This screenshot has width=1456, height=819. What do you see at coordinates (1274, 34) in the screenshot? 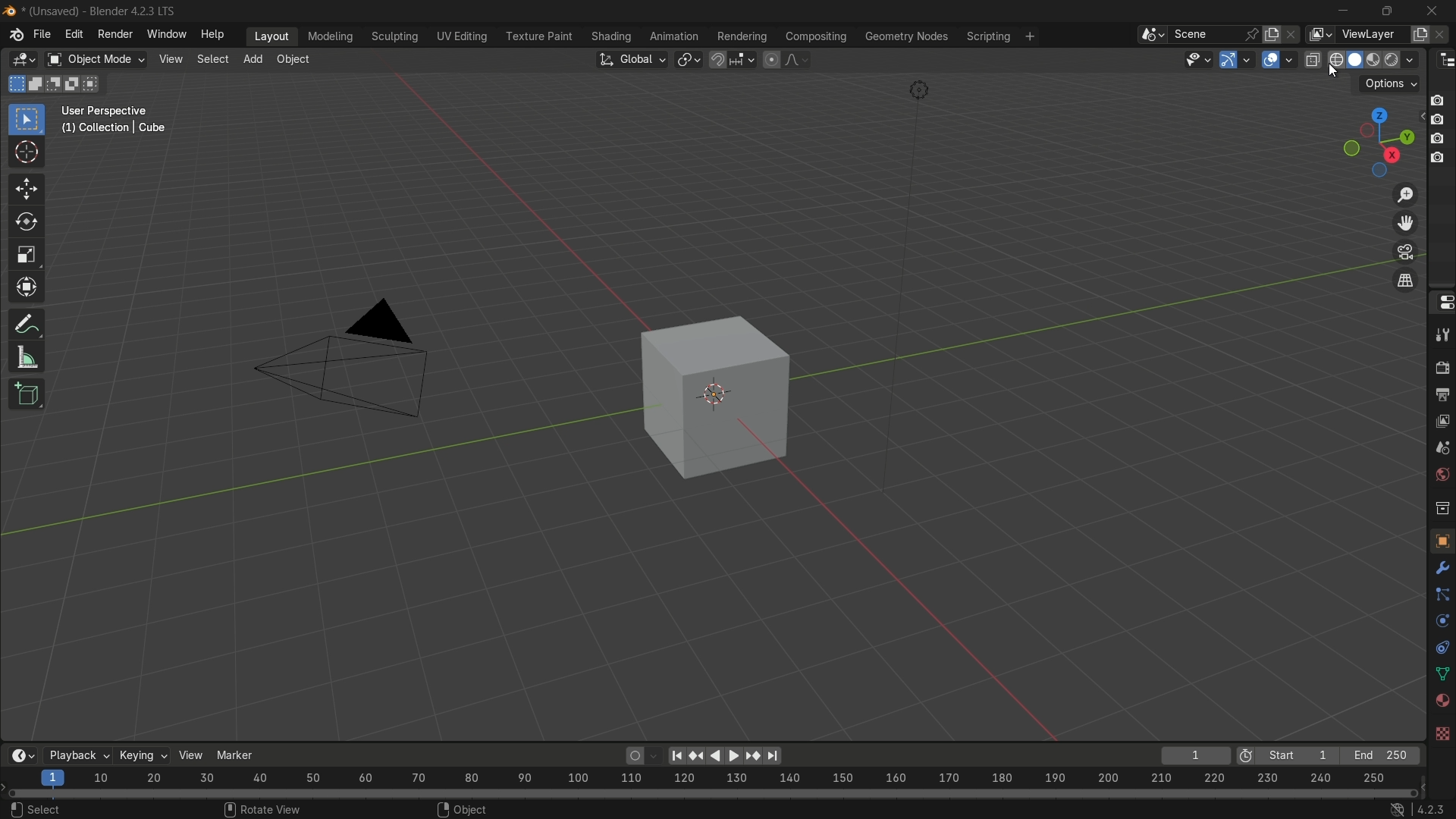
I see `new scene` at bounding box center [1274, 34].